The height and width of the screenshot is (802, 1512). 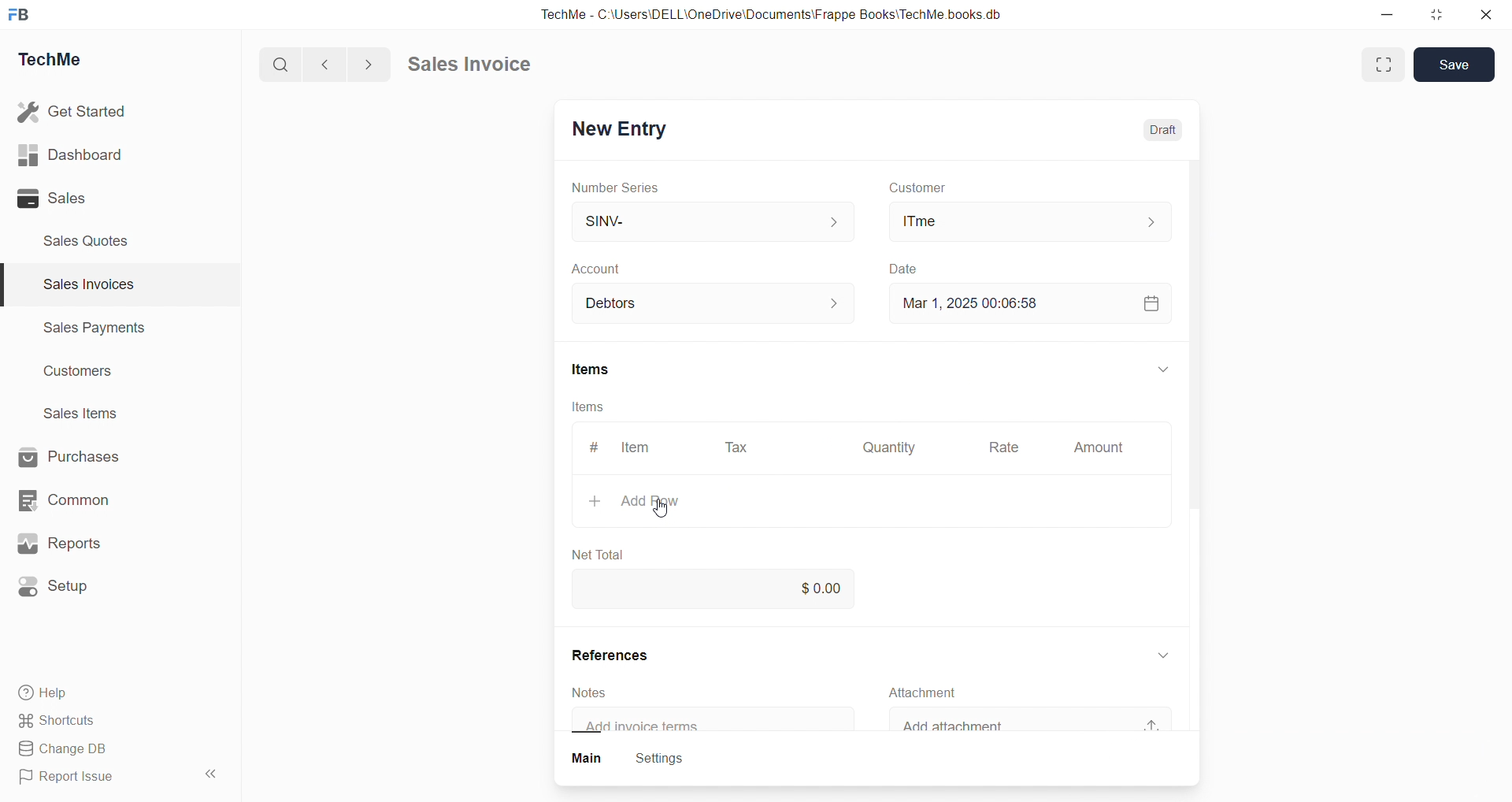 What do you see at coordinates (62, 592) in the screenshot?
I see `@ Setup` at bounding box center [62, 592].